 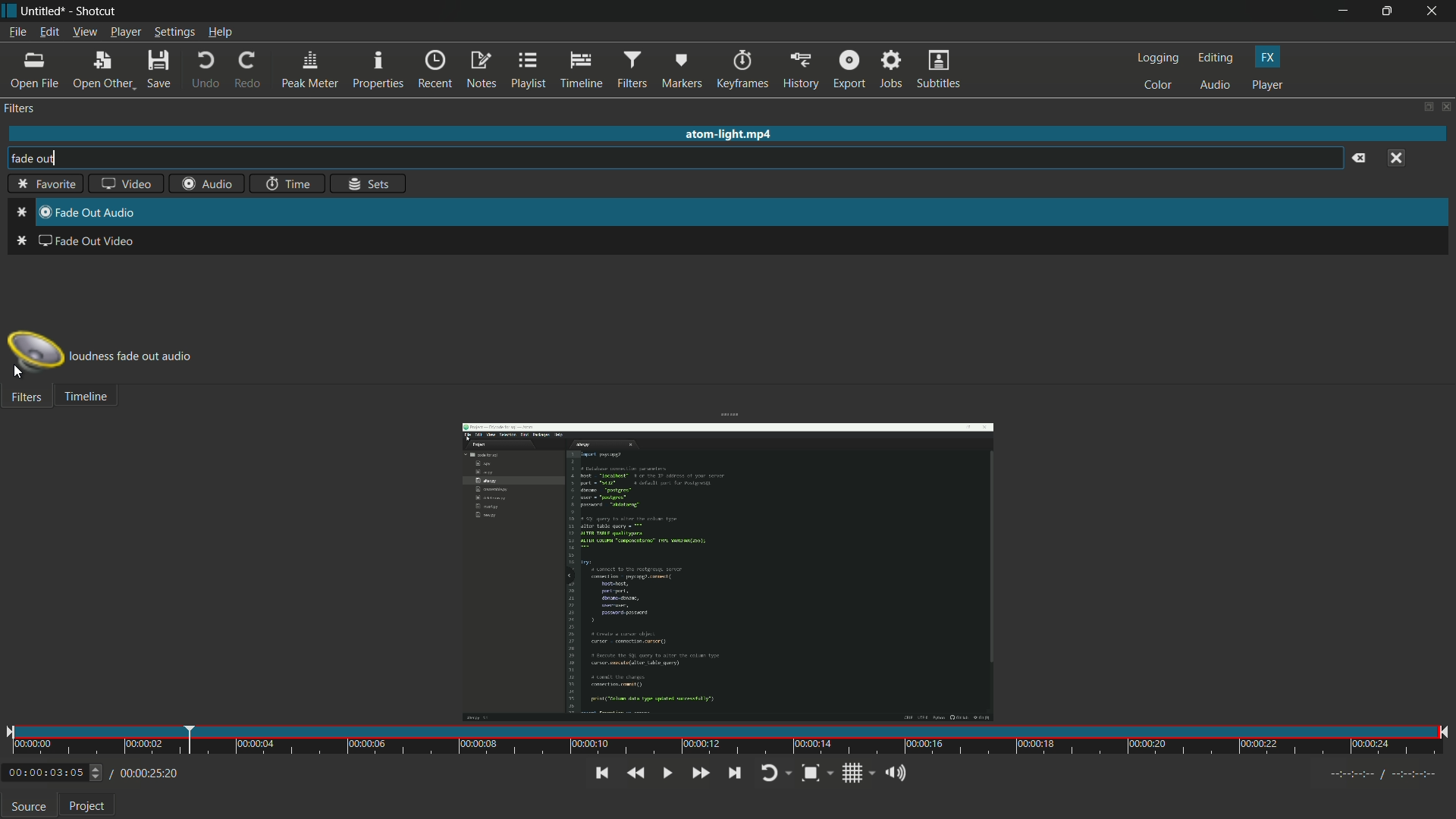 I want to click on favorite, so click(x=42, y=185).